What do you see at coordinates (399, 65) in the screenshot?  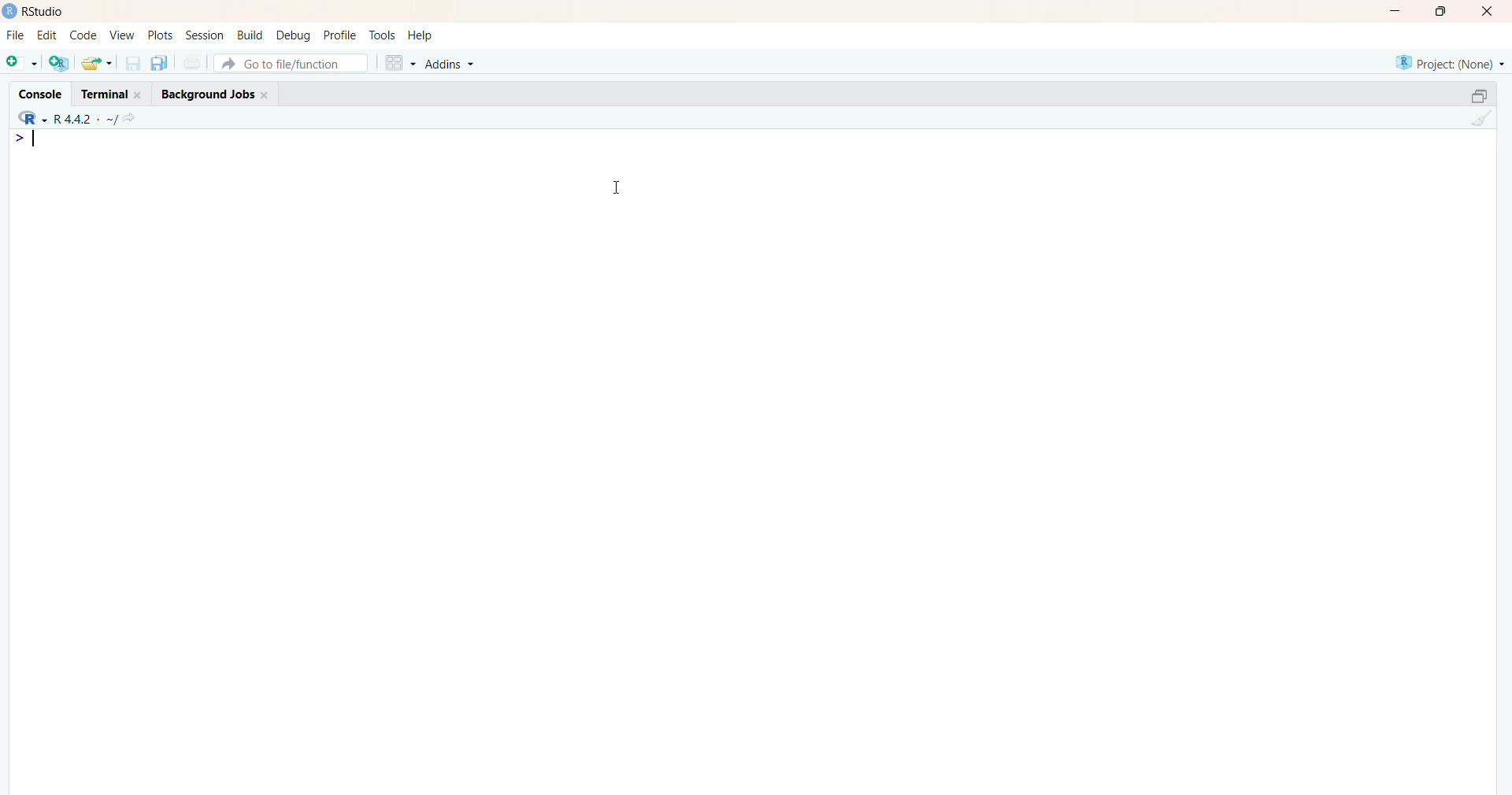 I see `workspace panes` at bounding box center [399, 65].